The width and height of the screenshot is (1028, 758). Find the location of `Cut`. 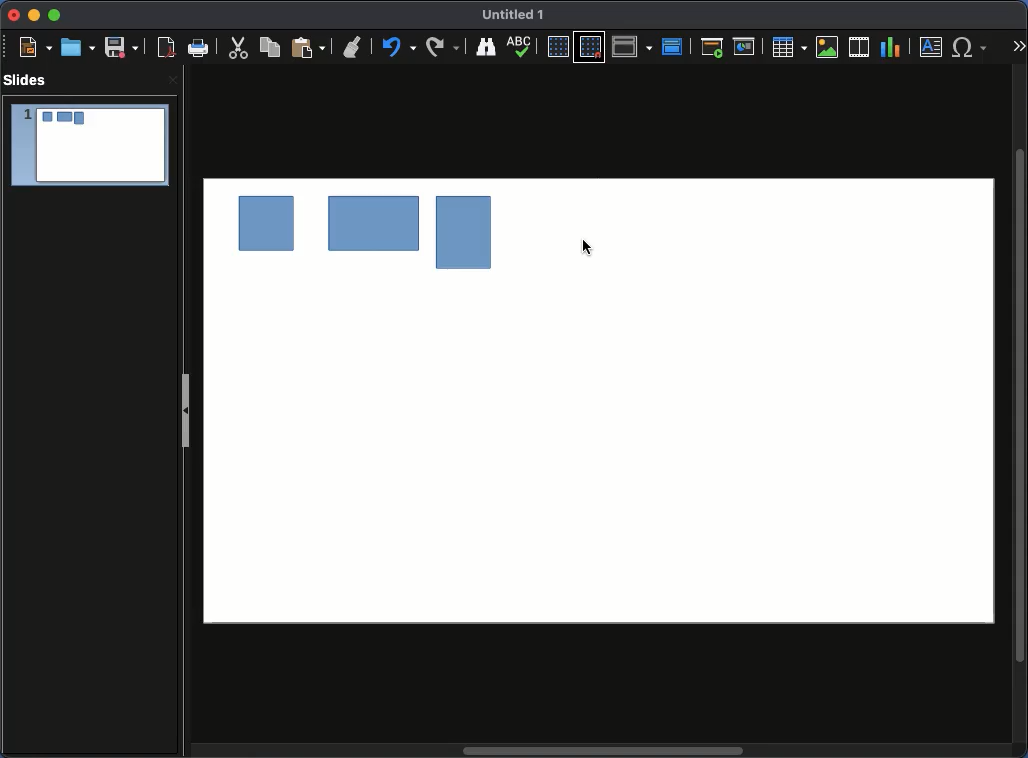

Cut is located at coordinates (239, 49).